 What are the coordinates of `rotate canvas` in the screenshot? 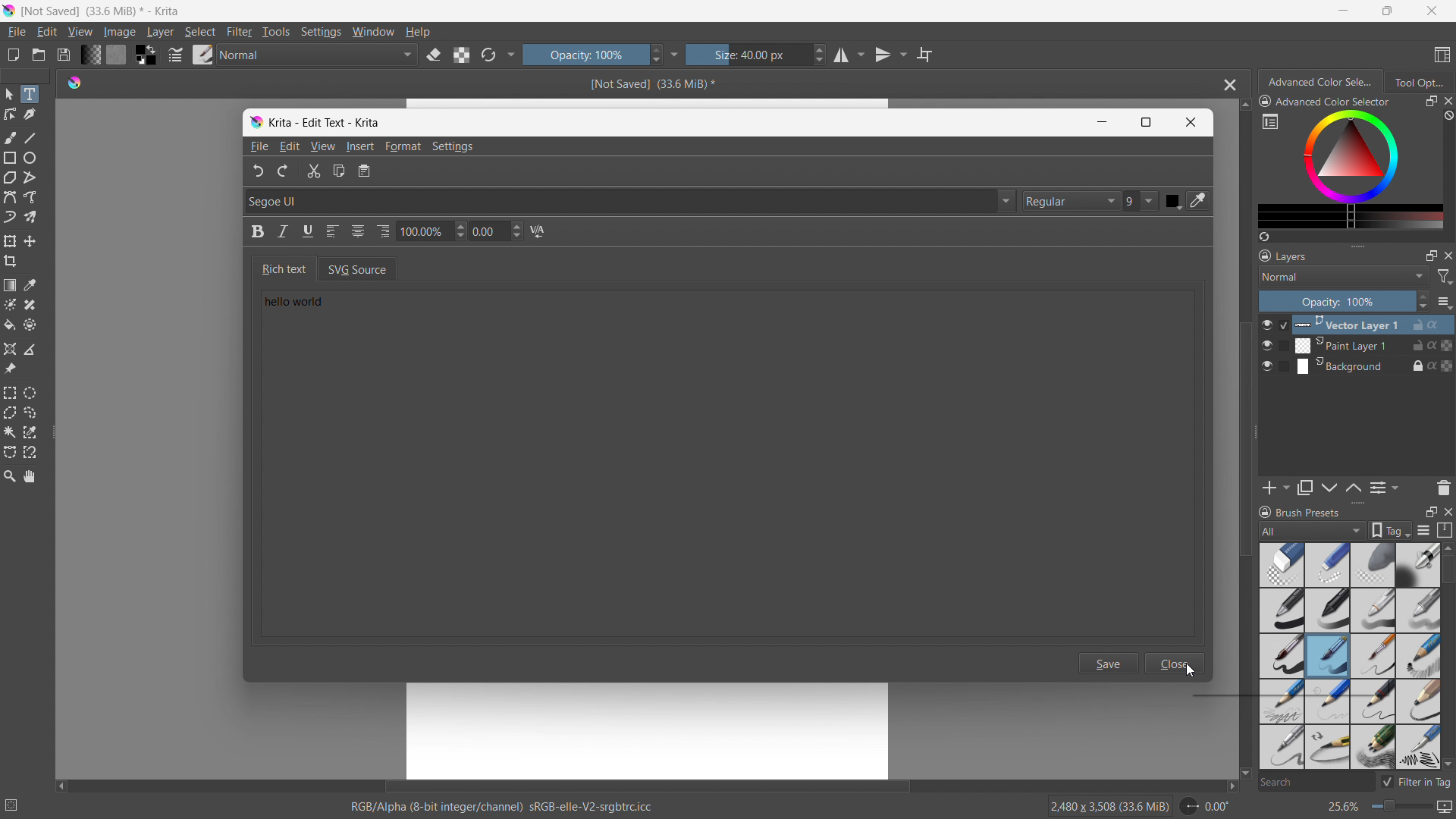 It's located at (1206, 806).